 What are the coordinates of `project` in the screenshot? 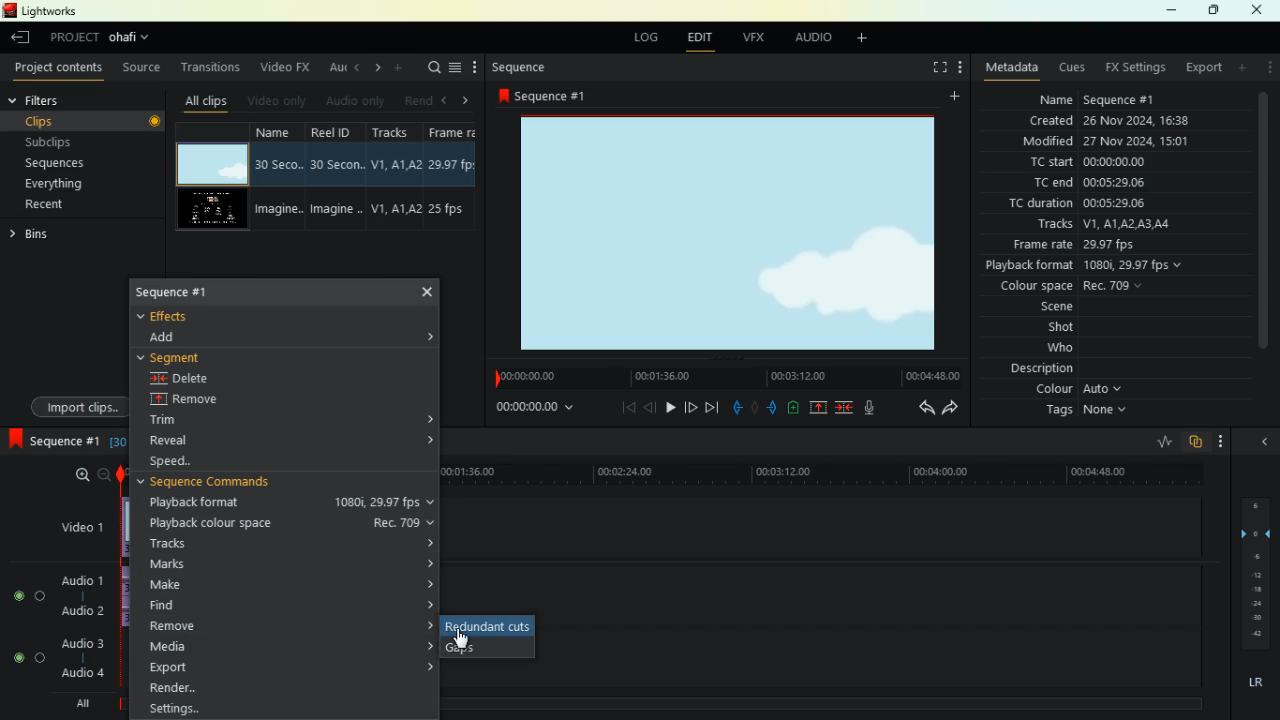 It's located at (106, 37).